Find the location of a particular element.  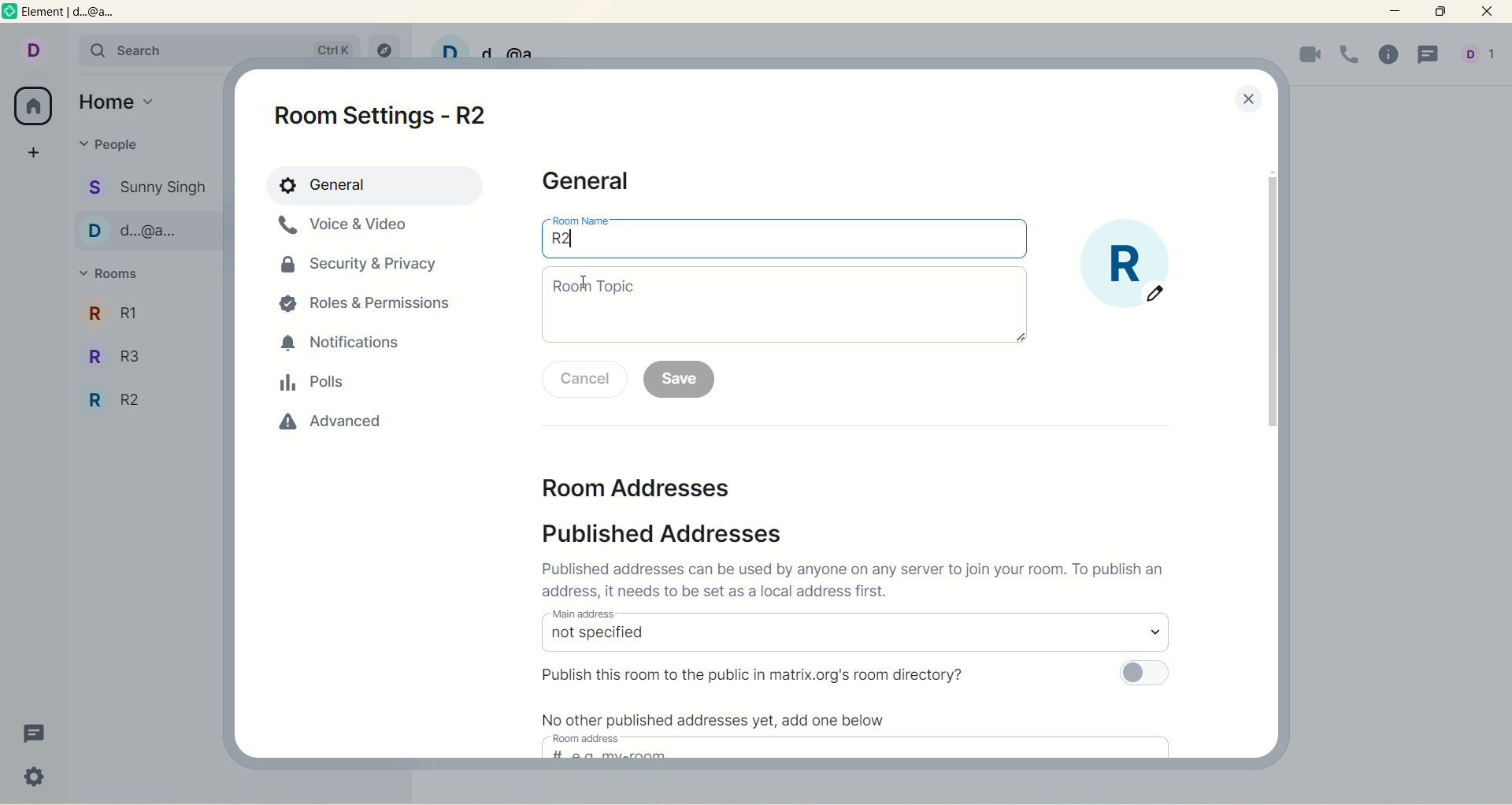

security and privacy is located at coordinates (361, 271).